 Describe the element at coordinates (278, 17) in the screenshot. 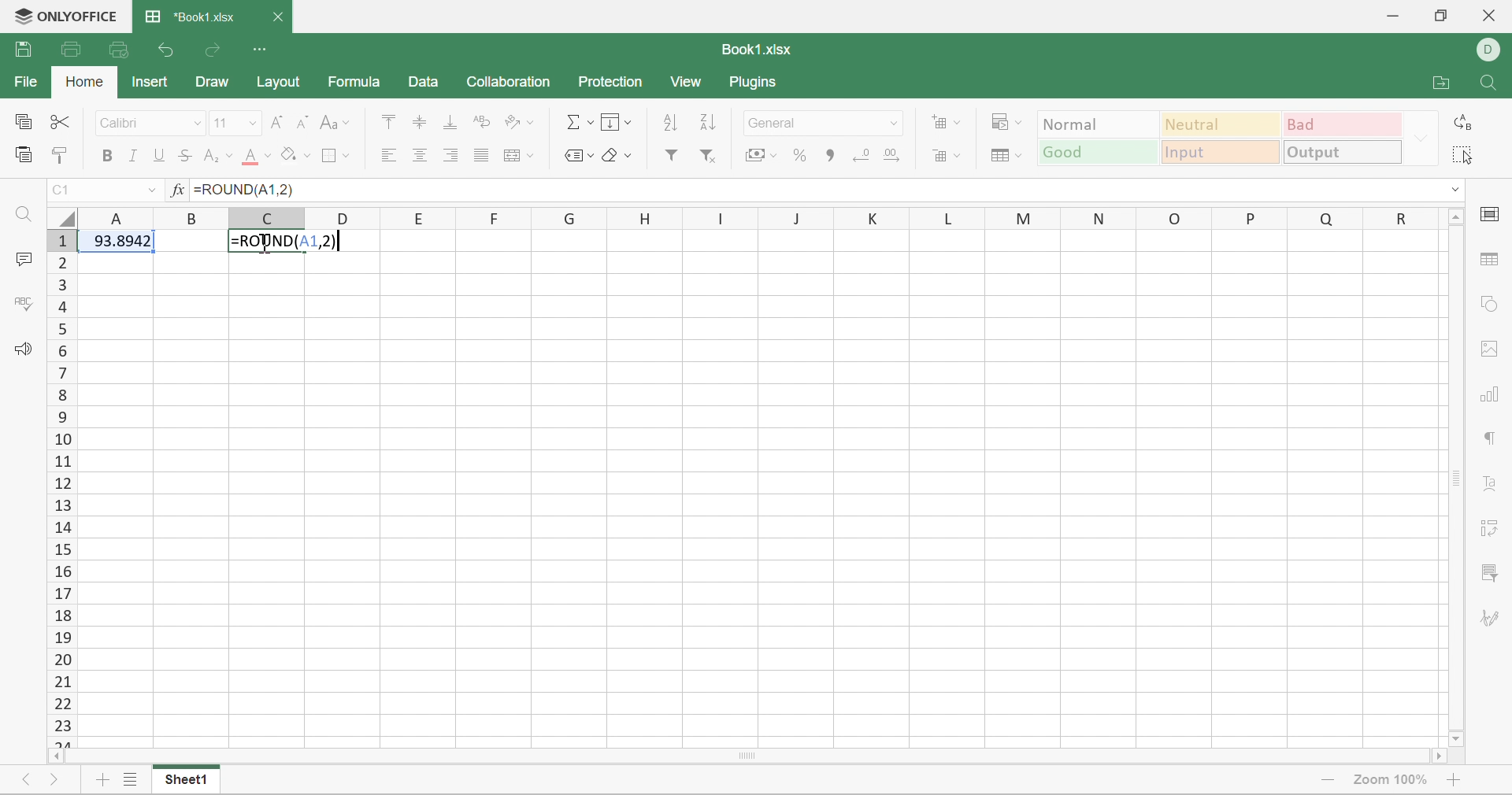

I see `Close` at that location.